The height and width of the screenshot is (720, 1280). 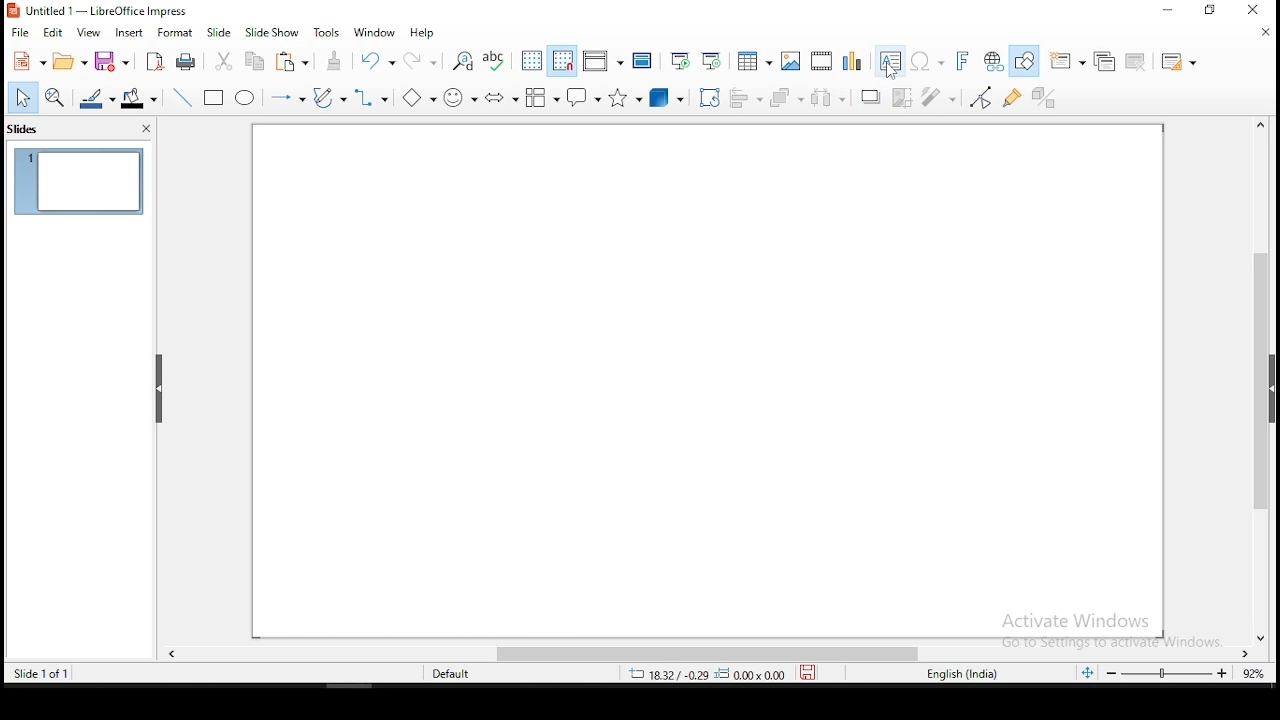 What do you see at coordinates (253, 61) in the screenshot?
I see `copy` at bounding box center [253, 61].